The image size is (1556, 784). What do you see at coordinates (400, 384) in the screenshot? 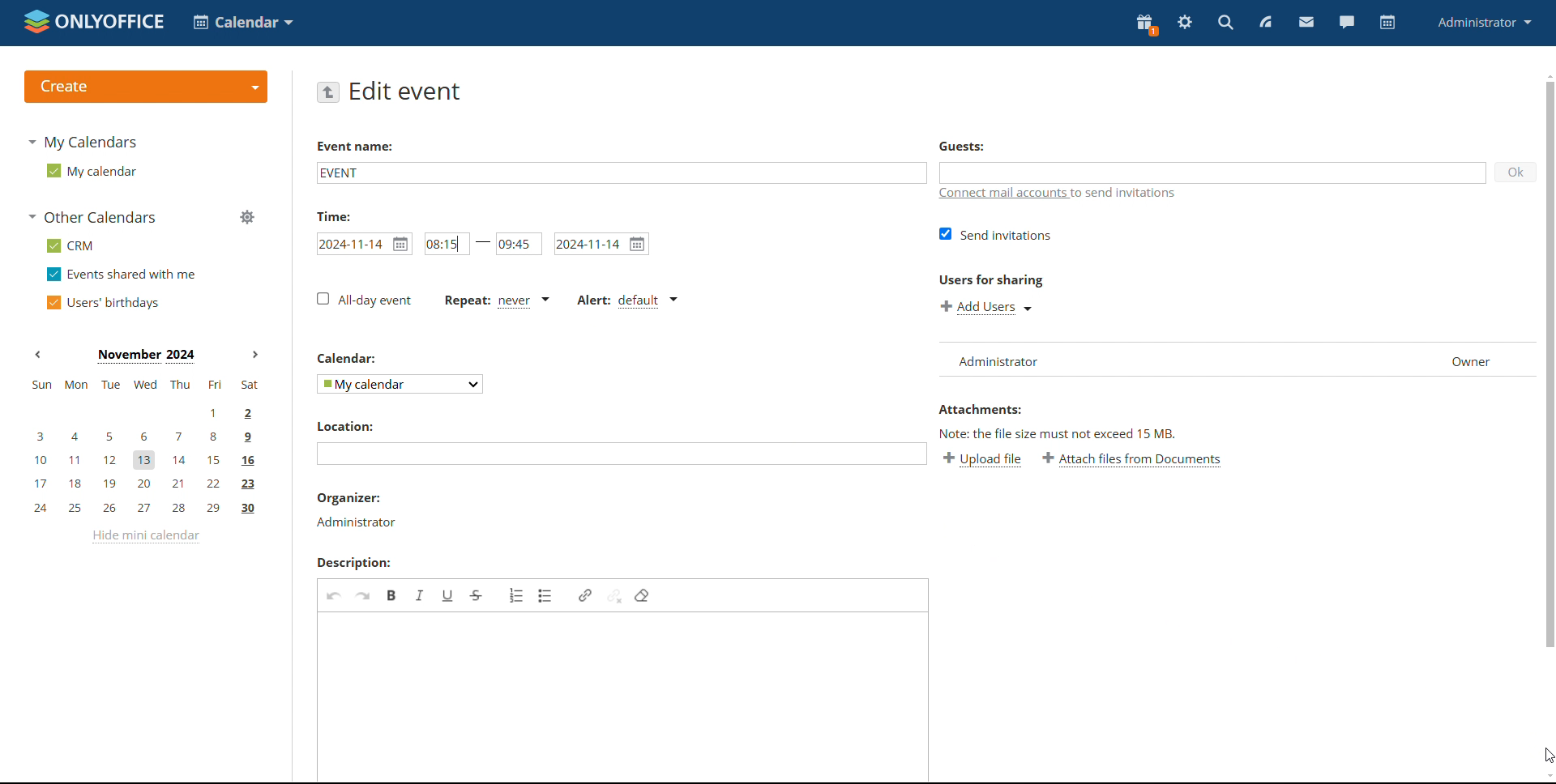
I see `select event calendar` at bounding box center [400, 384].